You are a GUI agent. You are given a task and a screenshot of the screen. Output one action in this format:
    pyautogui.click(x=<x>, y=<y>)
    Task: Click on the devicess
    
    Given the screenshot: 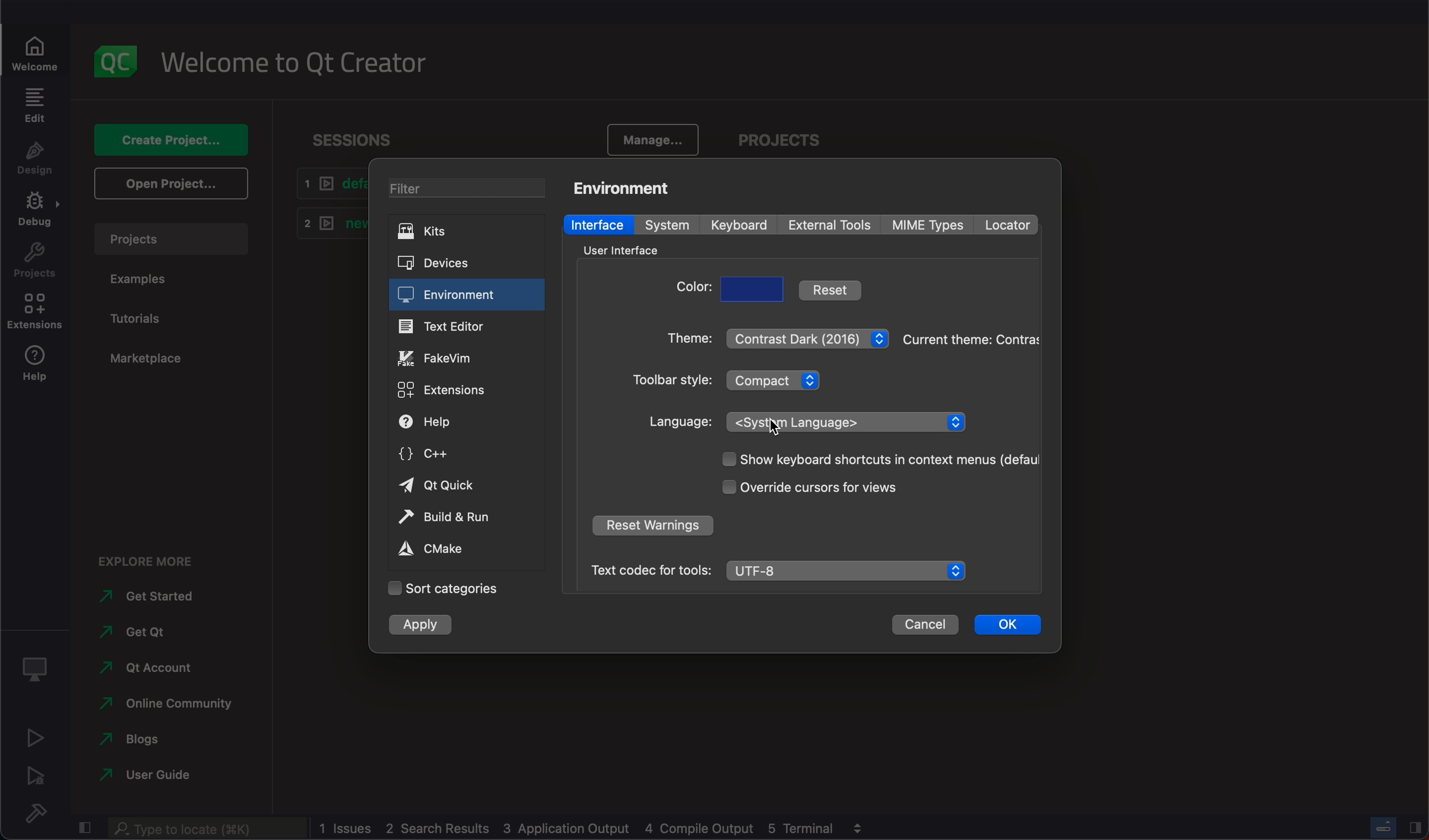 What is the action you would take?
    pyautogui.click(x=463, y=262)
    